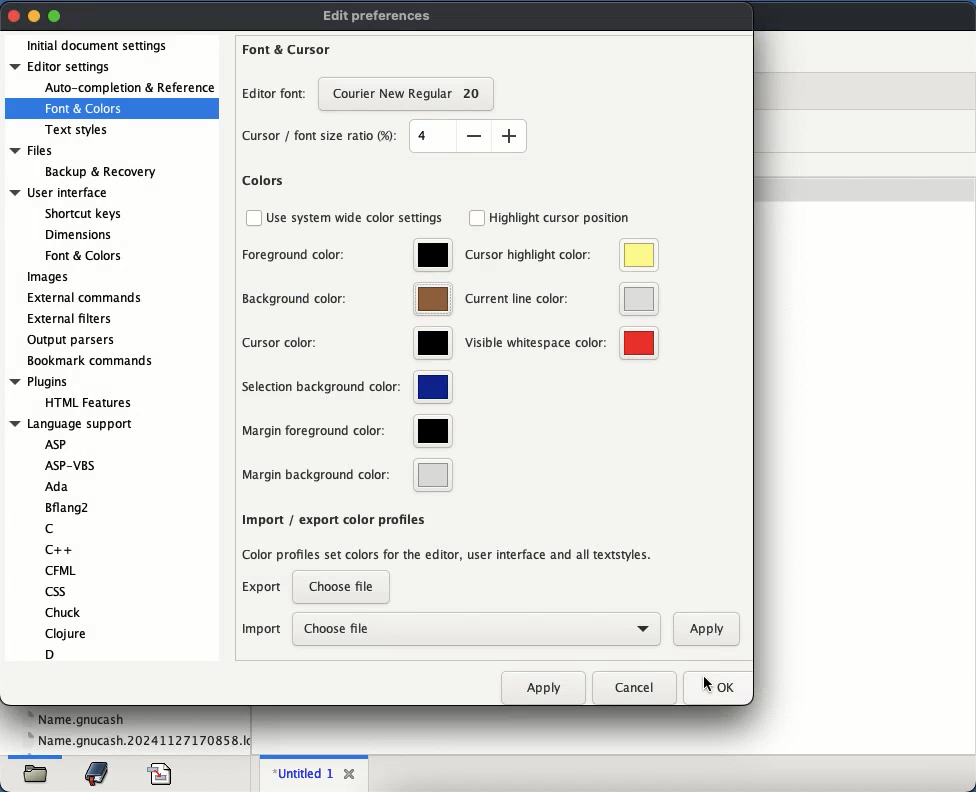  What do you see at coordinates (69, 318) in the screenshot?
I see `external filters` at bounding box center [69, 318].